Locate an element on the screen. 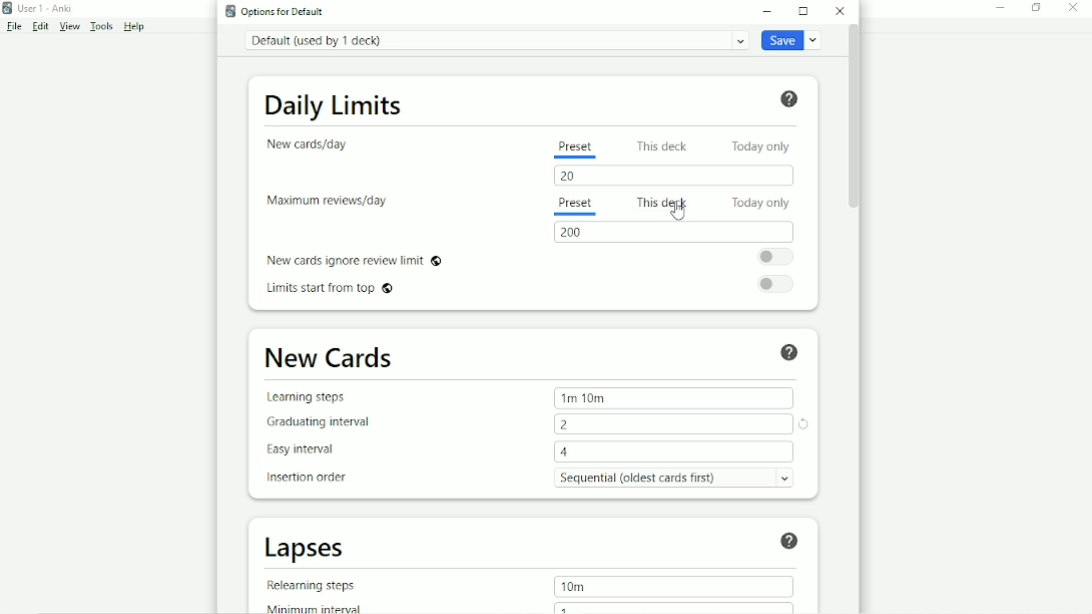  Insertion order is located at coordinates (313, 478).